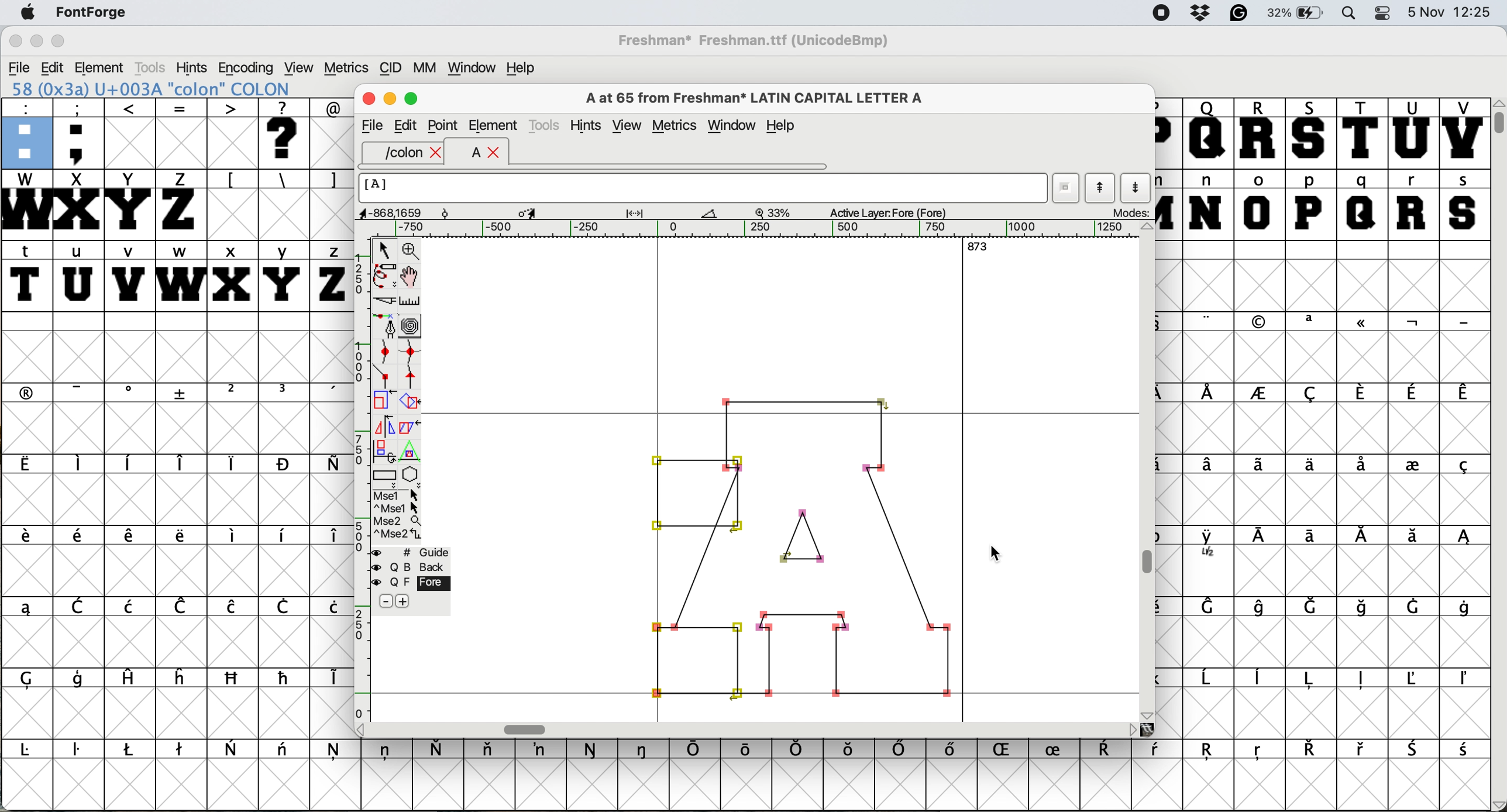 The height and width of the screenshot is (812, 1507). Describe the element at coordinates (413, 324) in the screenshot. I see `change whether spiro is active or not` at that location.